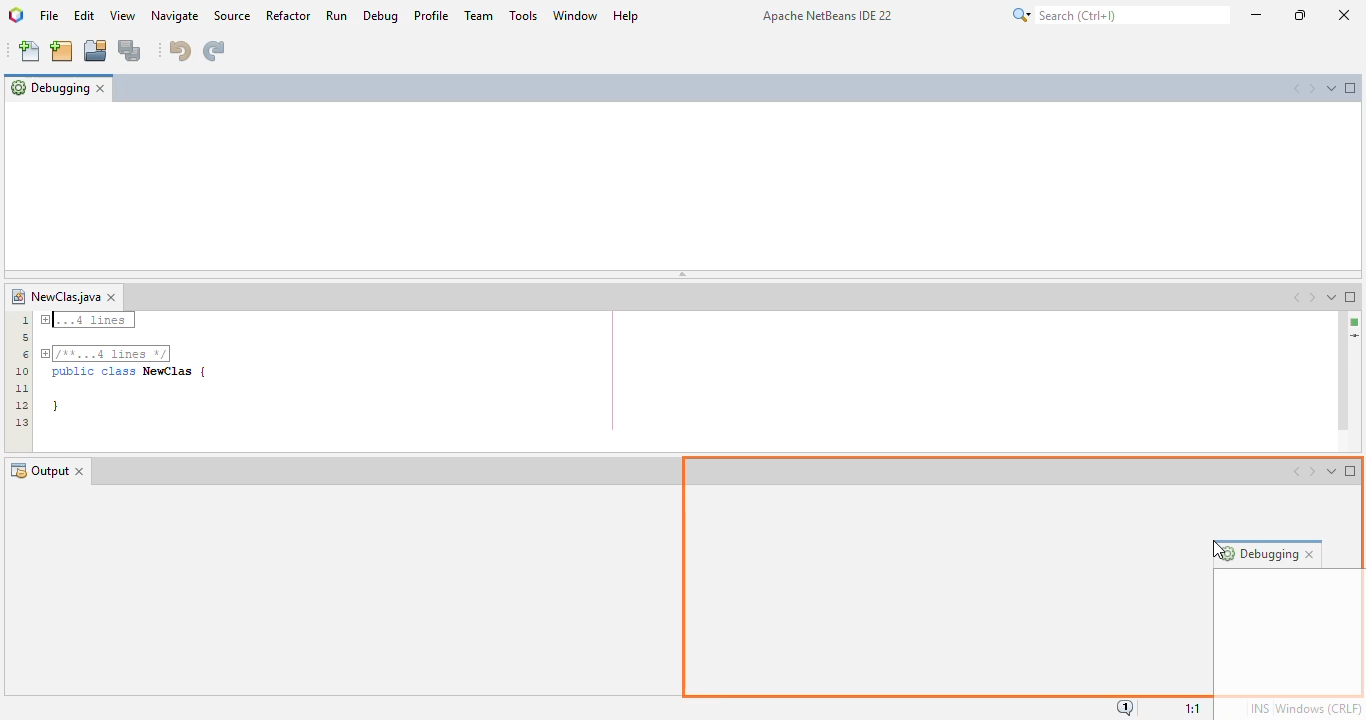 The height and width of the screenshot is (720, 1366). Describe the element at coordinates (1332, 297) in the screenshot. I see `show opened documents list` at that location.